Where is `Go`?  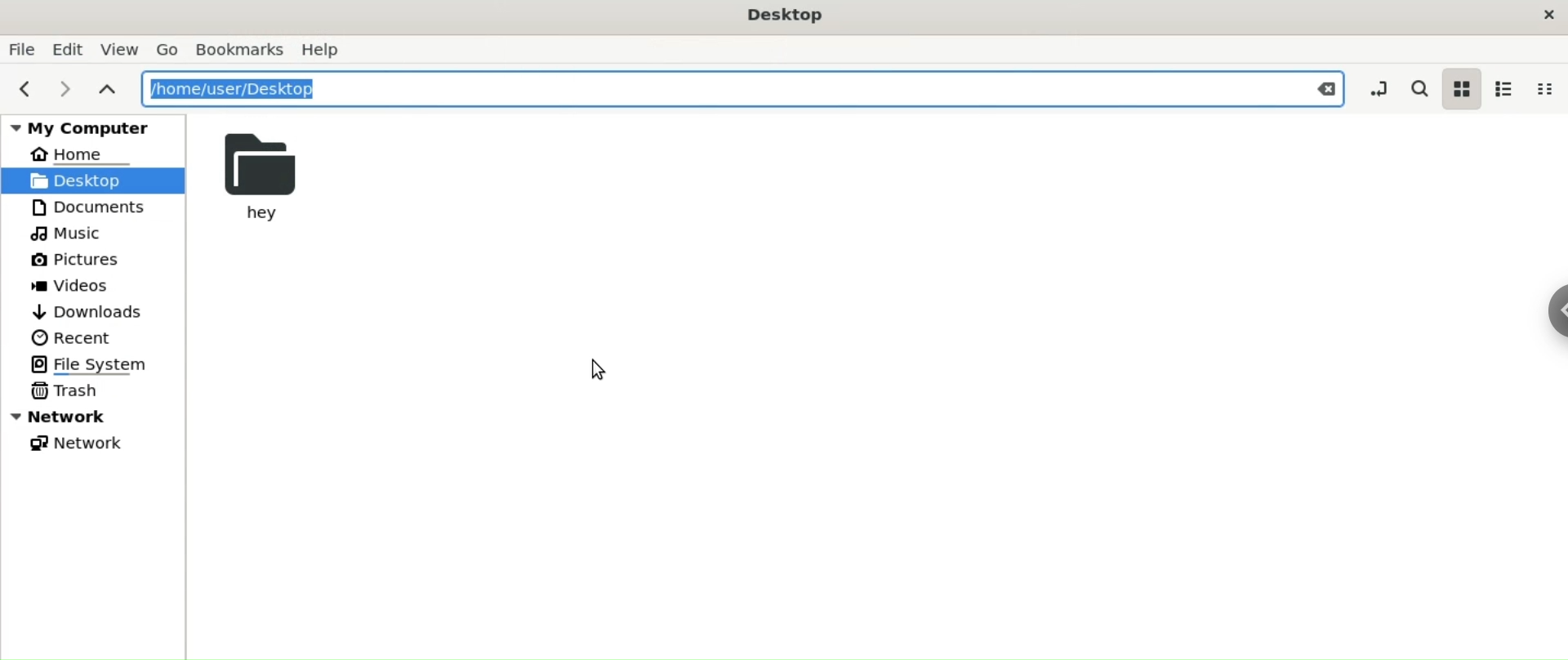 Go is located at coordinates (171, 50).